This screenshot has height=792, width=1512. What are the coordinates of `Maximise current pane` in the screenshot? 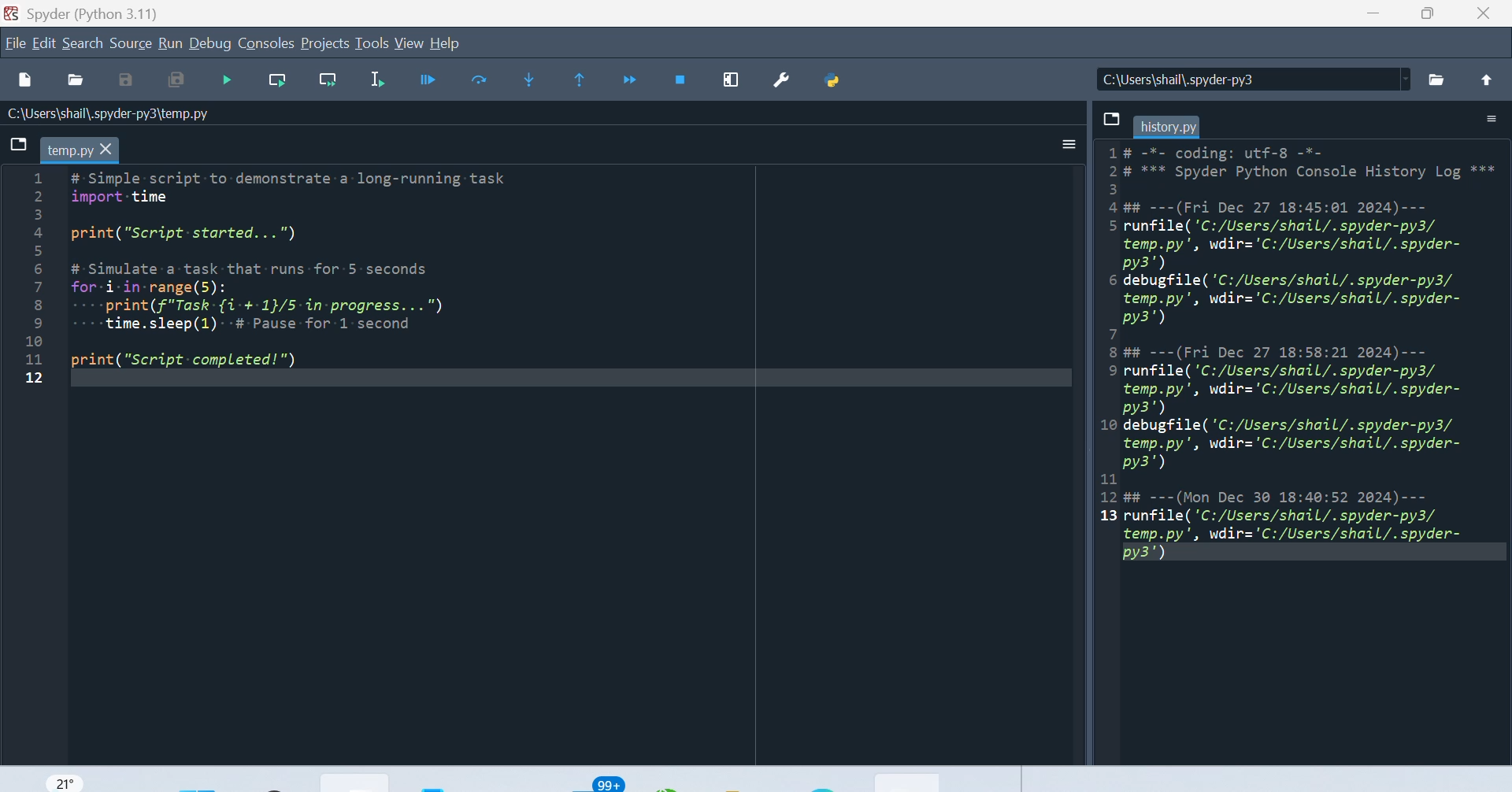 It's located at (736, 82).